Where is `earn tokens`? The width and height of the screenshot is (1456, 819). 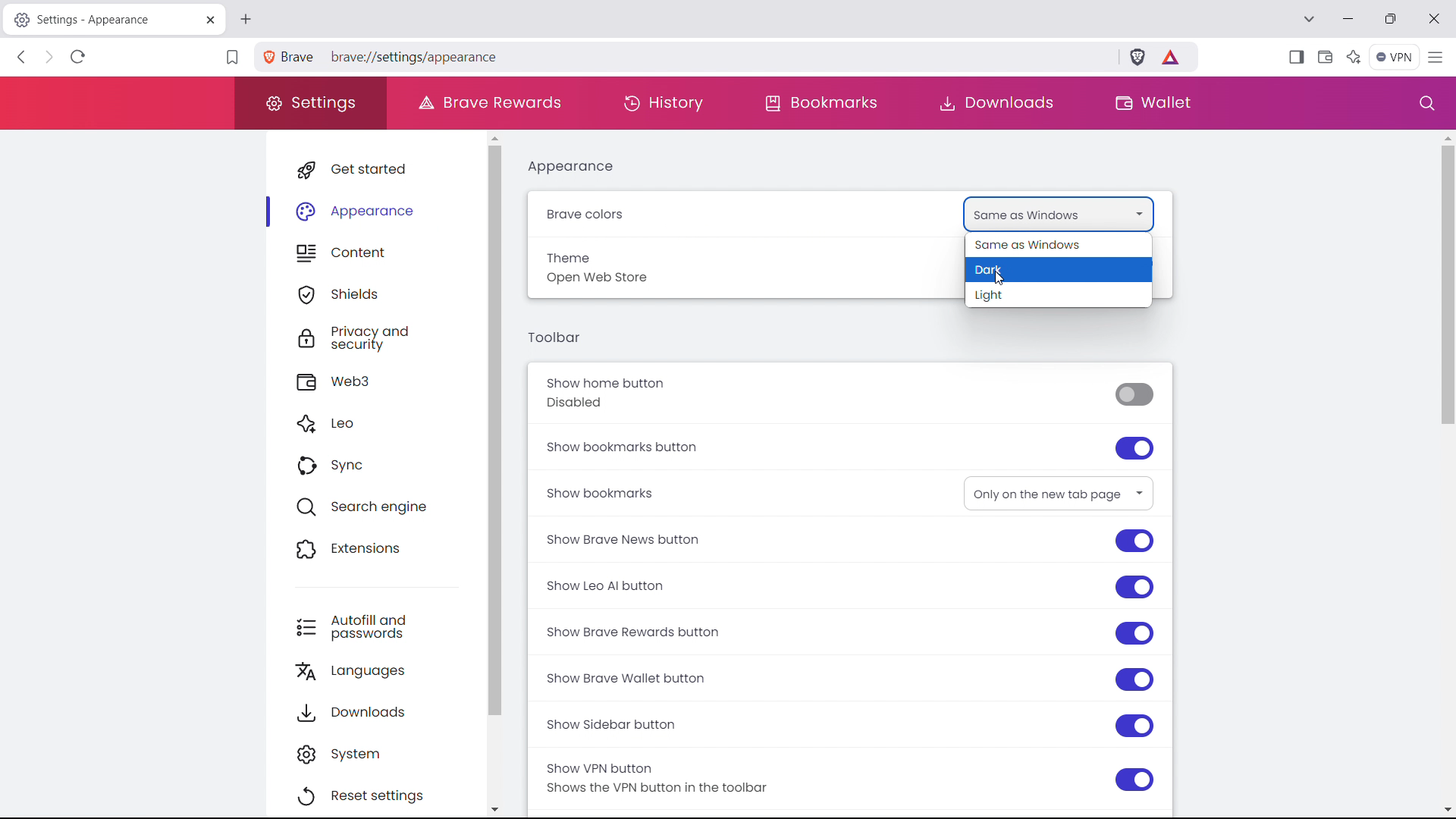 earn tokens is located at coordinates (1172, 58).